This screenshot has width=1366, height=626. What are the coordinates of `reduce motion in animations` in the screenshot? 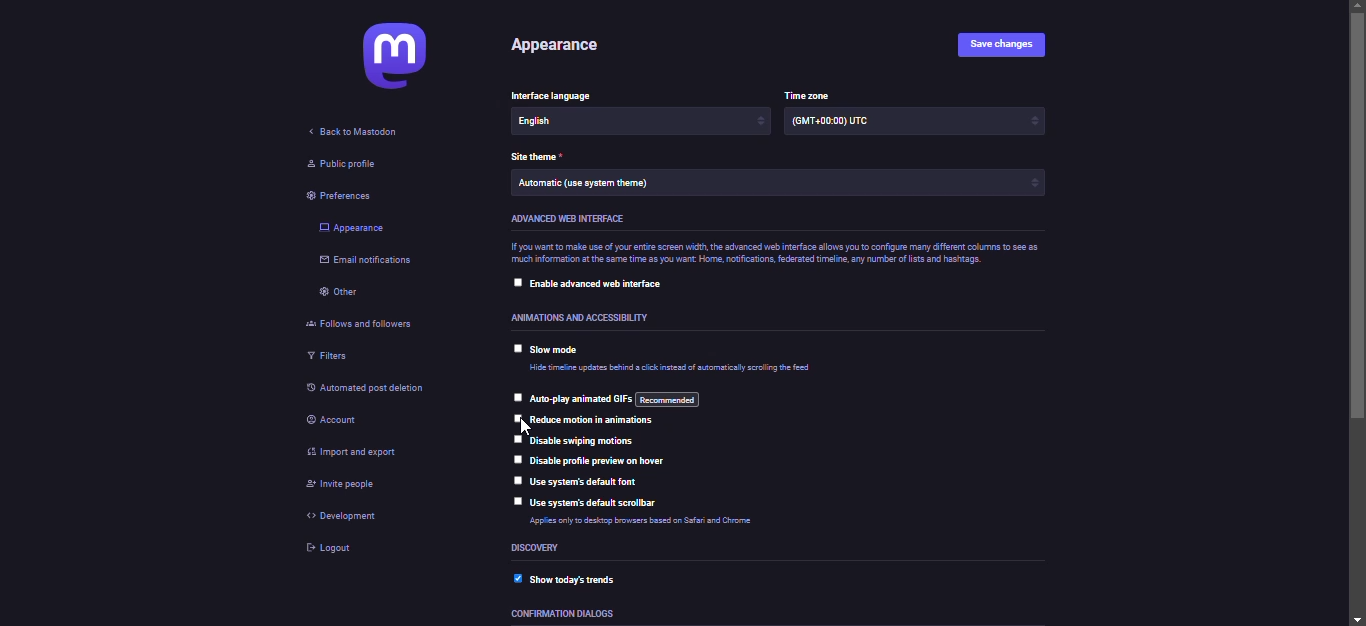 It's located at (597, 421).